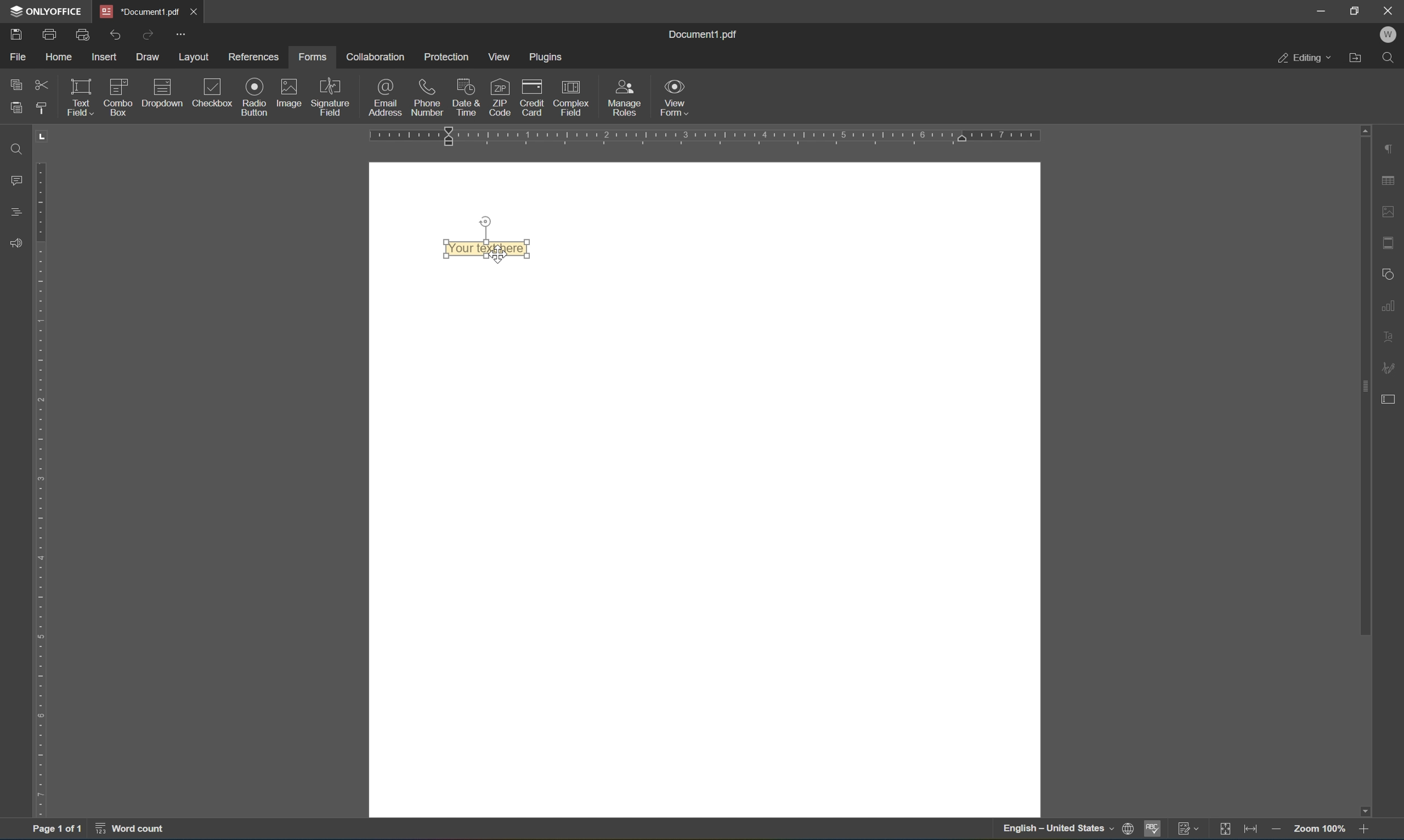 This screenshot has width=1404, height=840. I want to click on W, so click(1390, 34).